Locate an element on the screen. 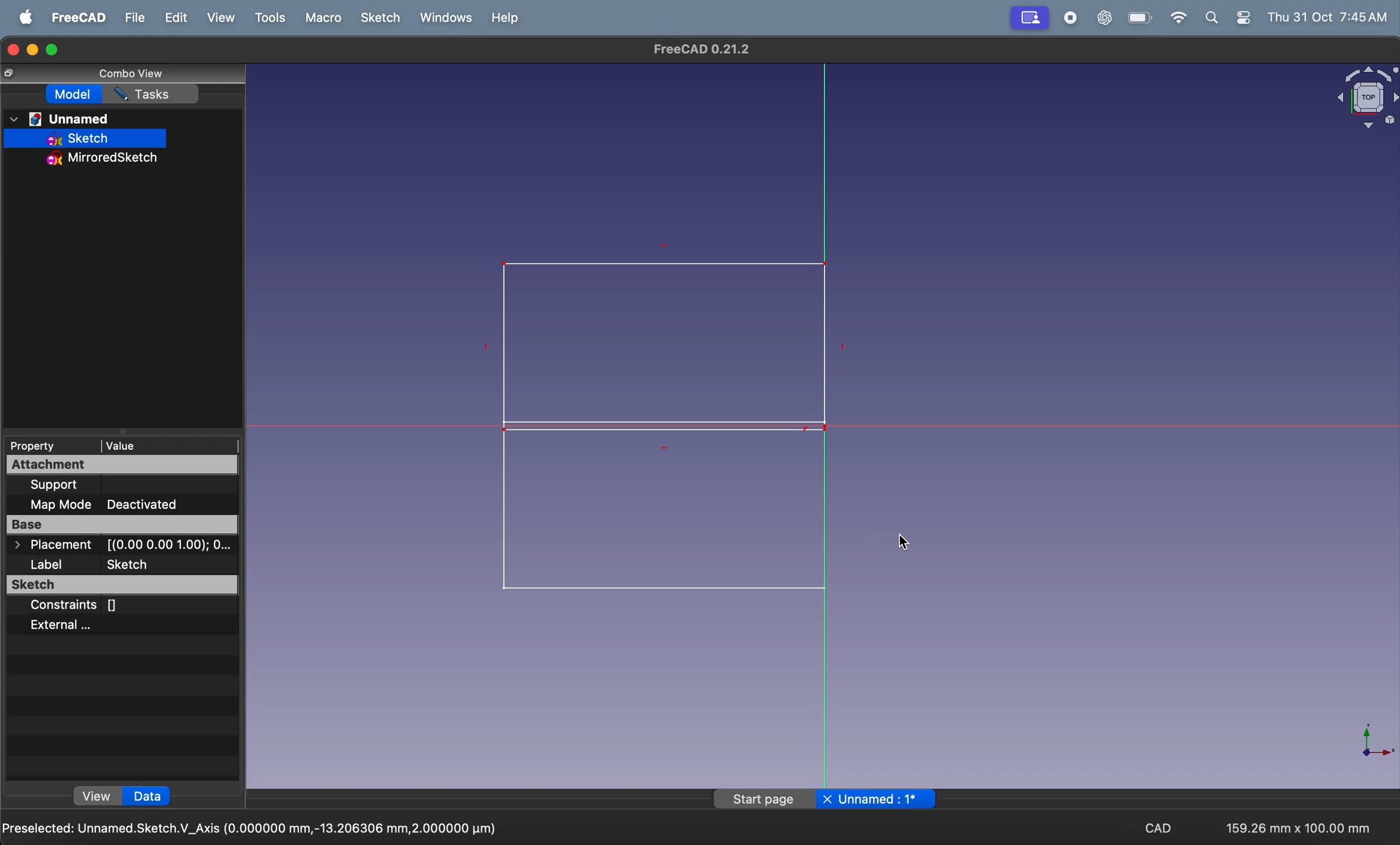 The width and height of the screenshot is (1400, 845). external is located at coordinates (111, 626).